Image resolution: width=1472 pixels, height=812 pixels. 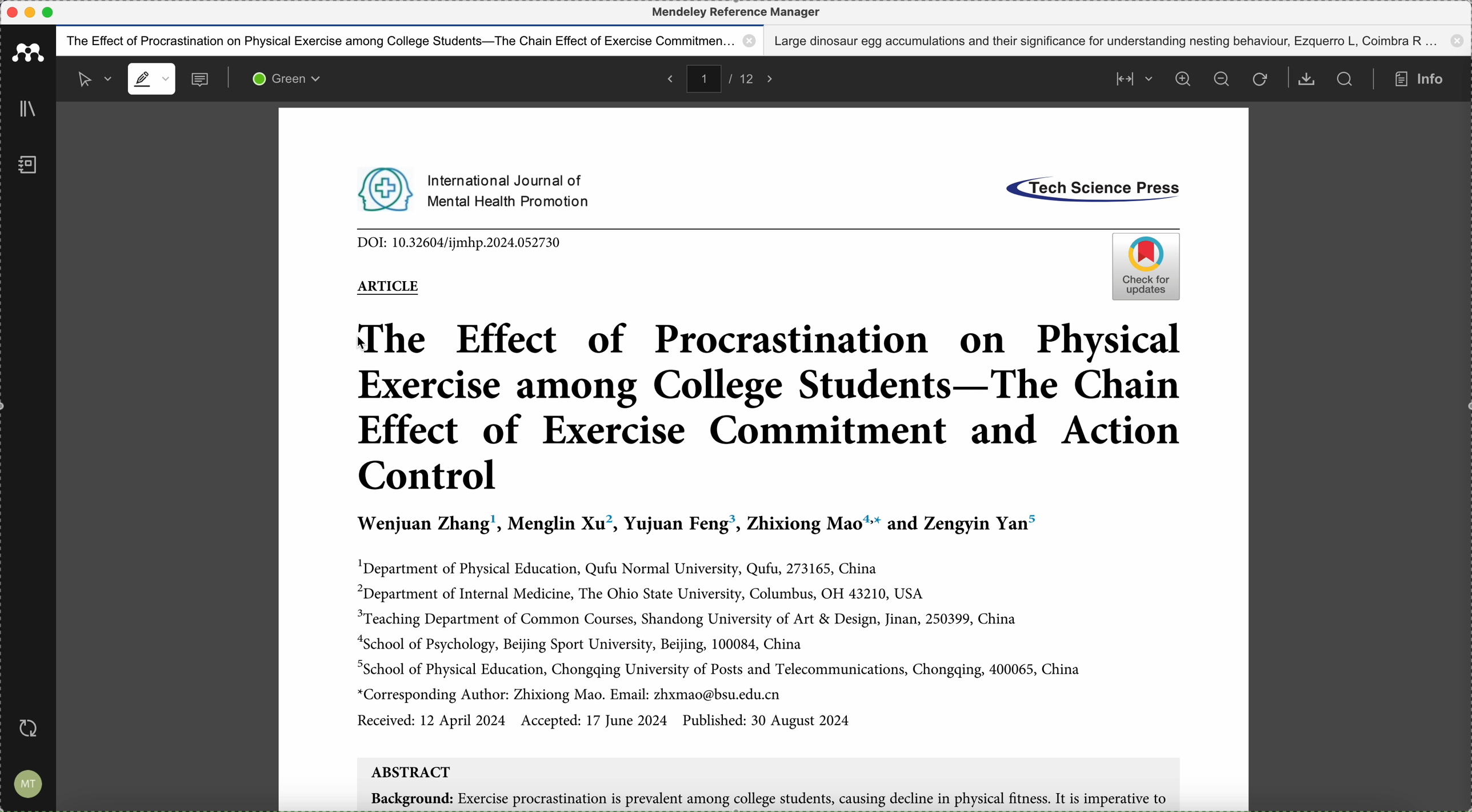 I want to click on download document, so click(x=1307, y=79).